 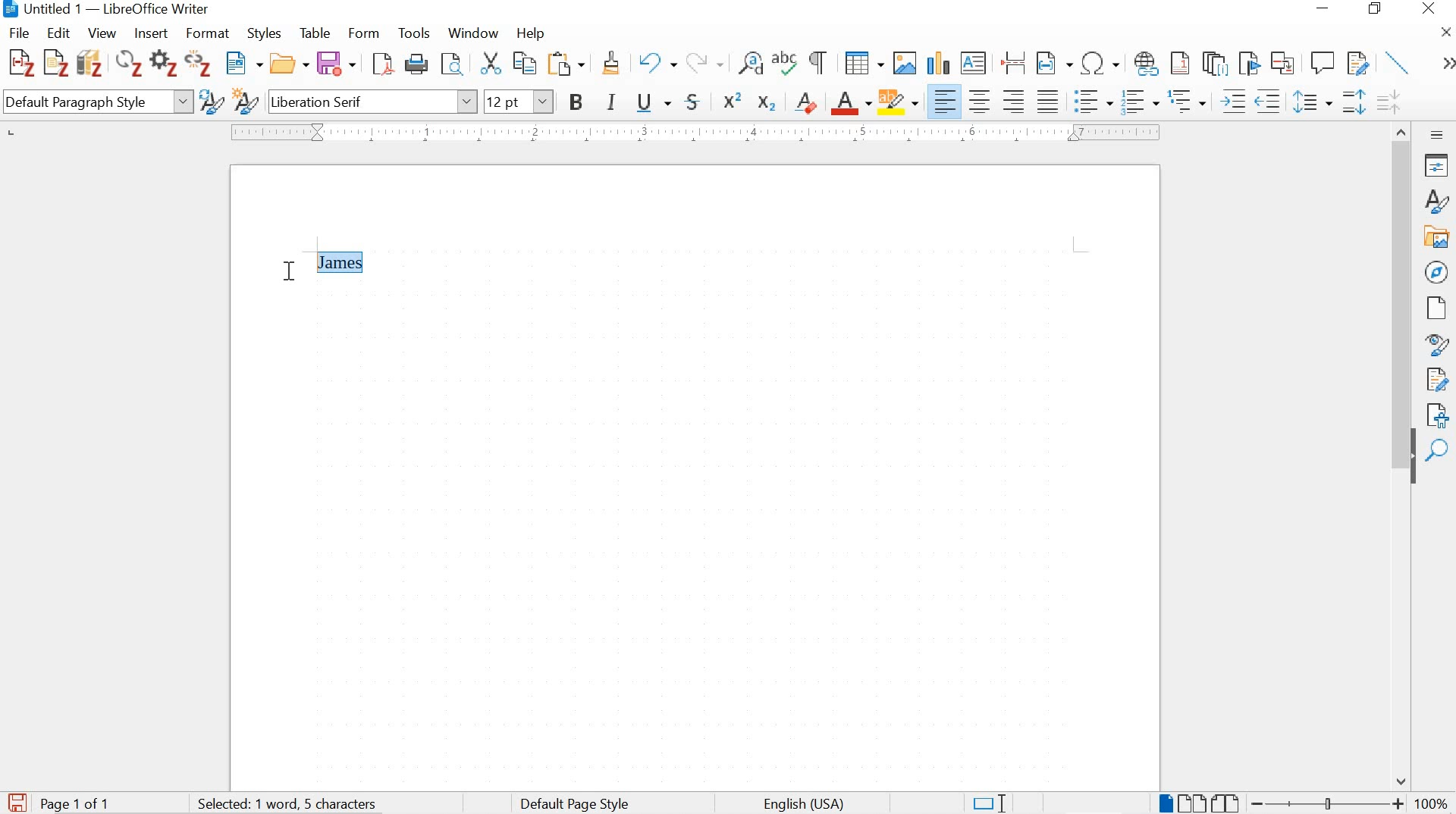 What do you see at coordinates (97, 104) in the screenshot?
I see `set paragraph style` at bounding box center [97, 104].